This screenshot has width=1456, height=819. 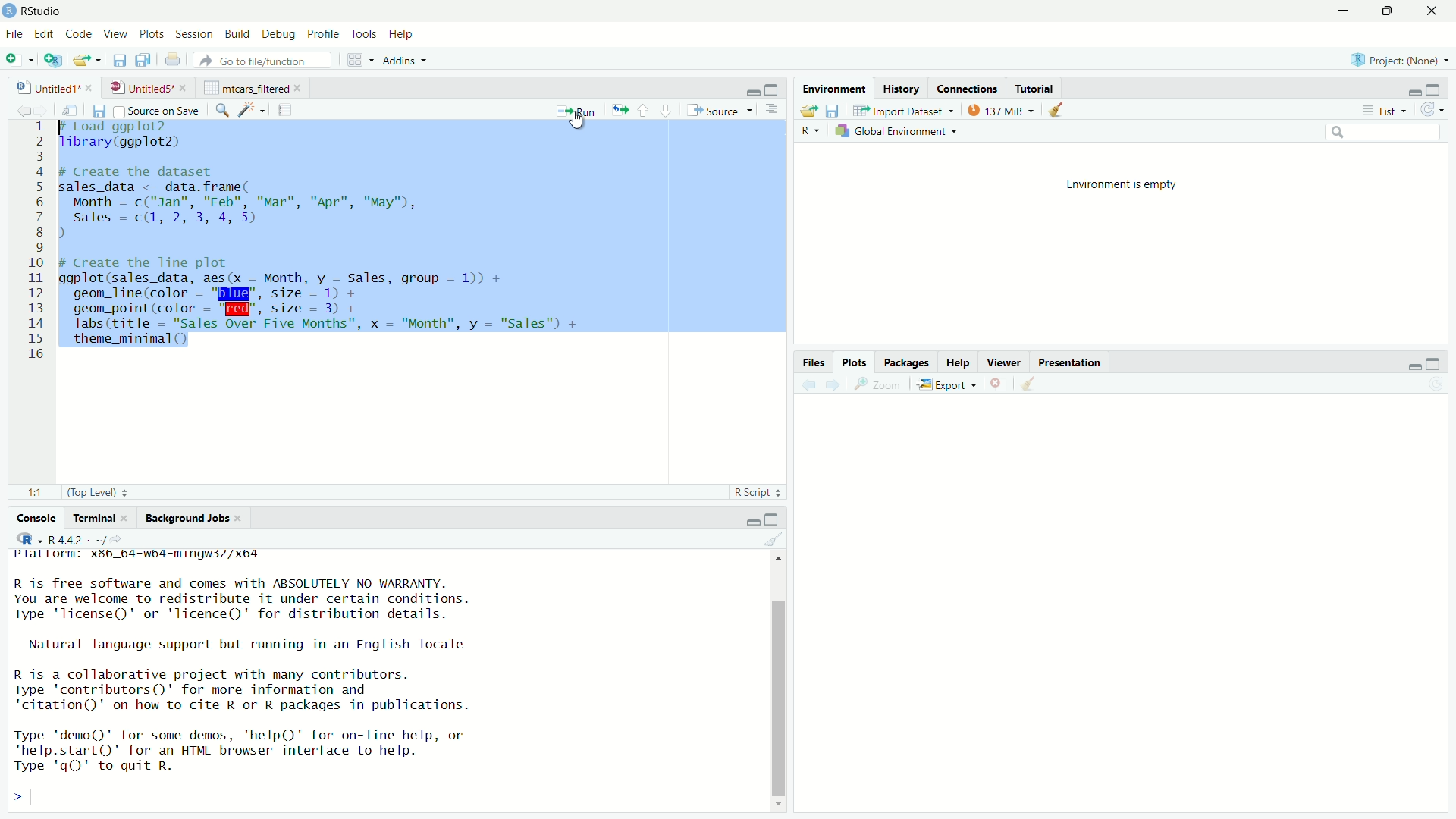 I want to click on minimize, so click(x=1348, y=10).